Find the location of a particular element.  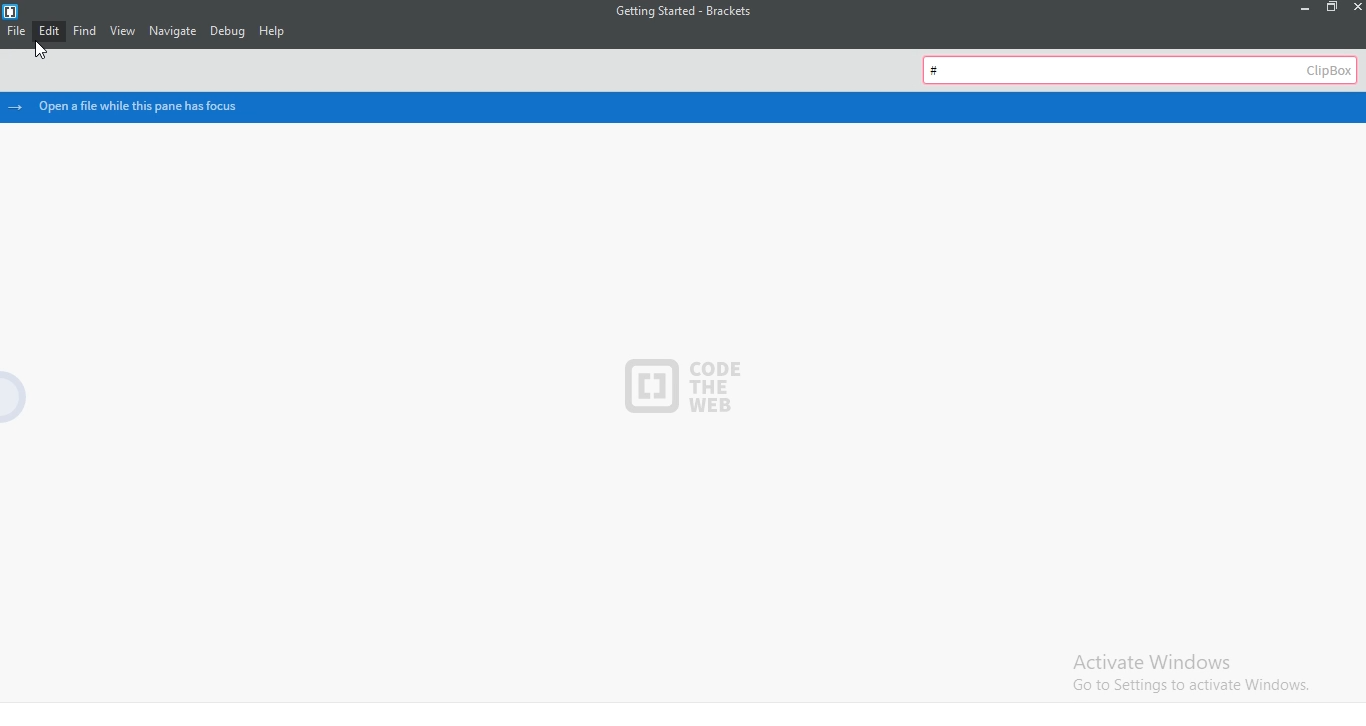

close is located at coordinates (1356, 7).